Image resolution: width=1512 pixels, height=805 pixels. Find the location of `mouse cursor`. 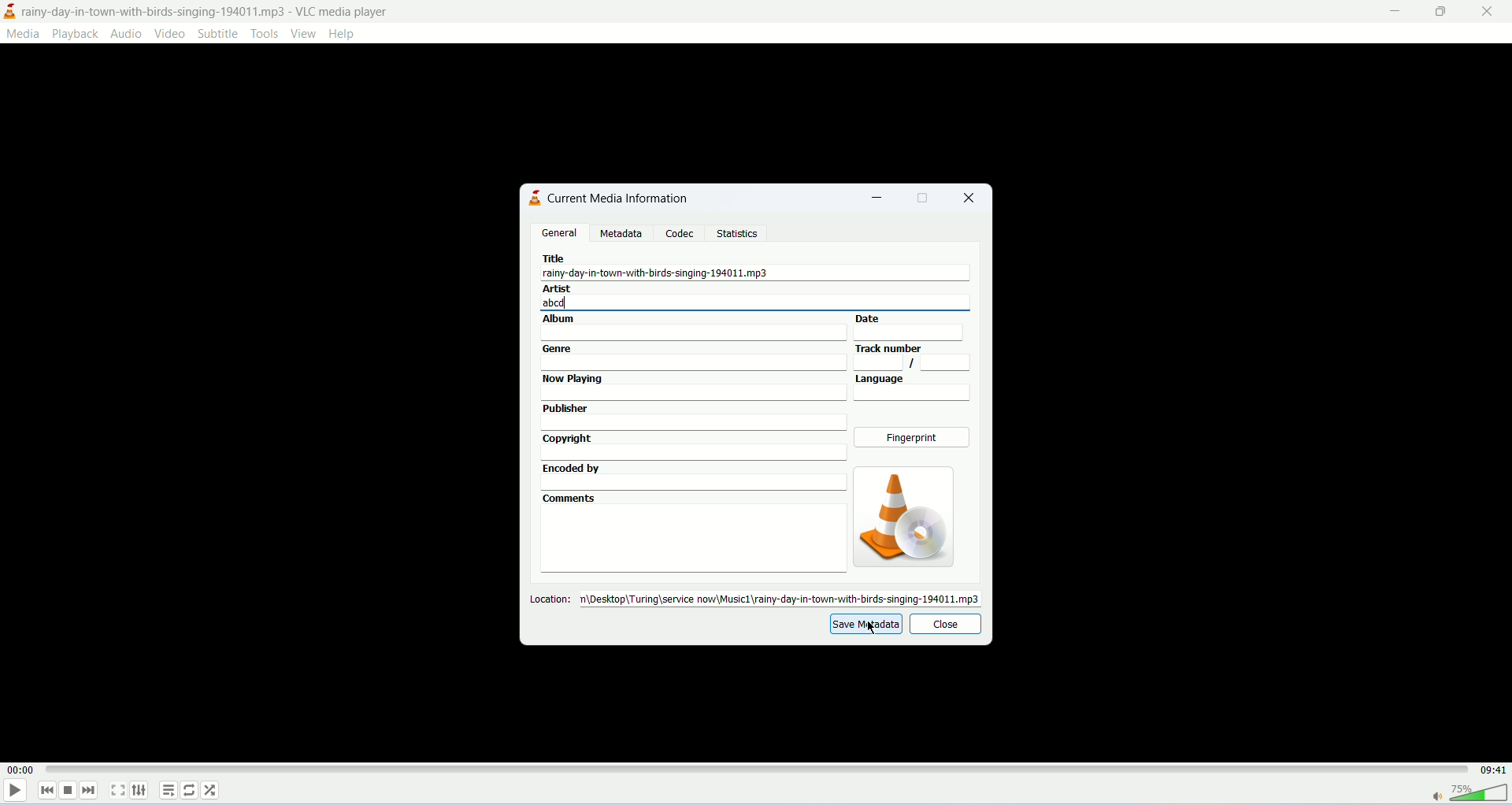

mouse cursor is located at coordinates (875, 627).